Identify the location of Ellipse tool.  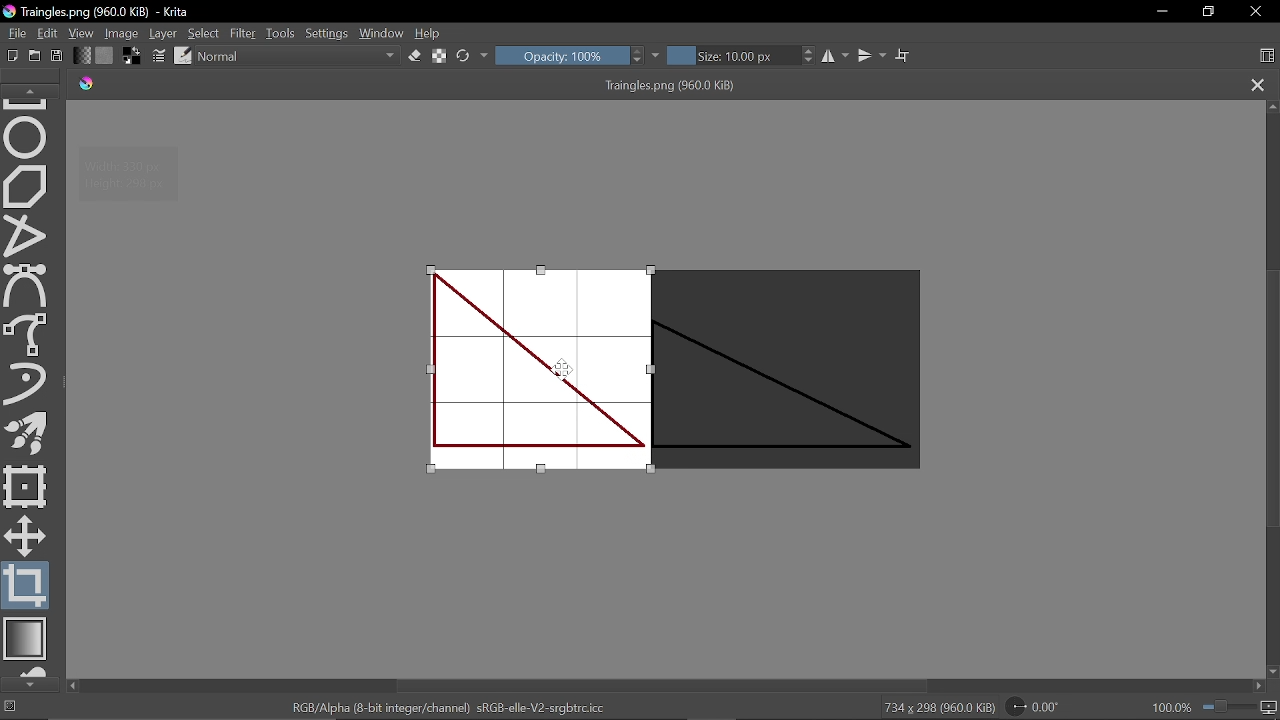
(27, 136).